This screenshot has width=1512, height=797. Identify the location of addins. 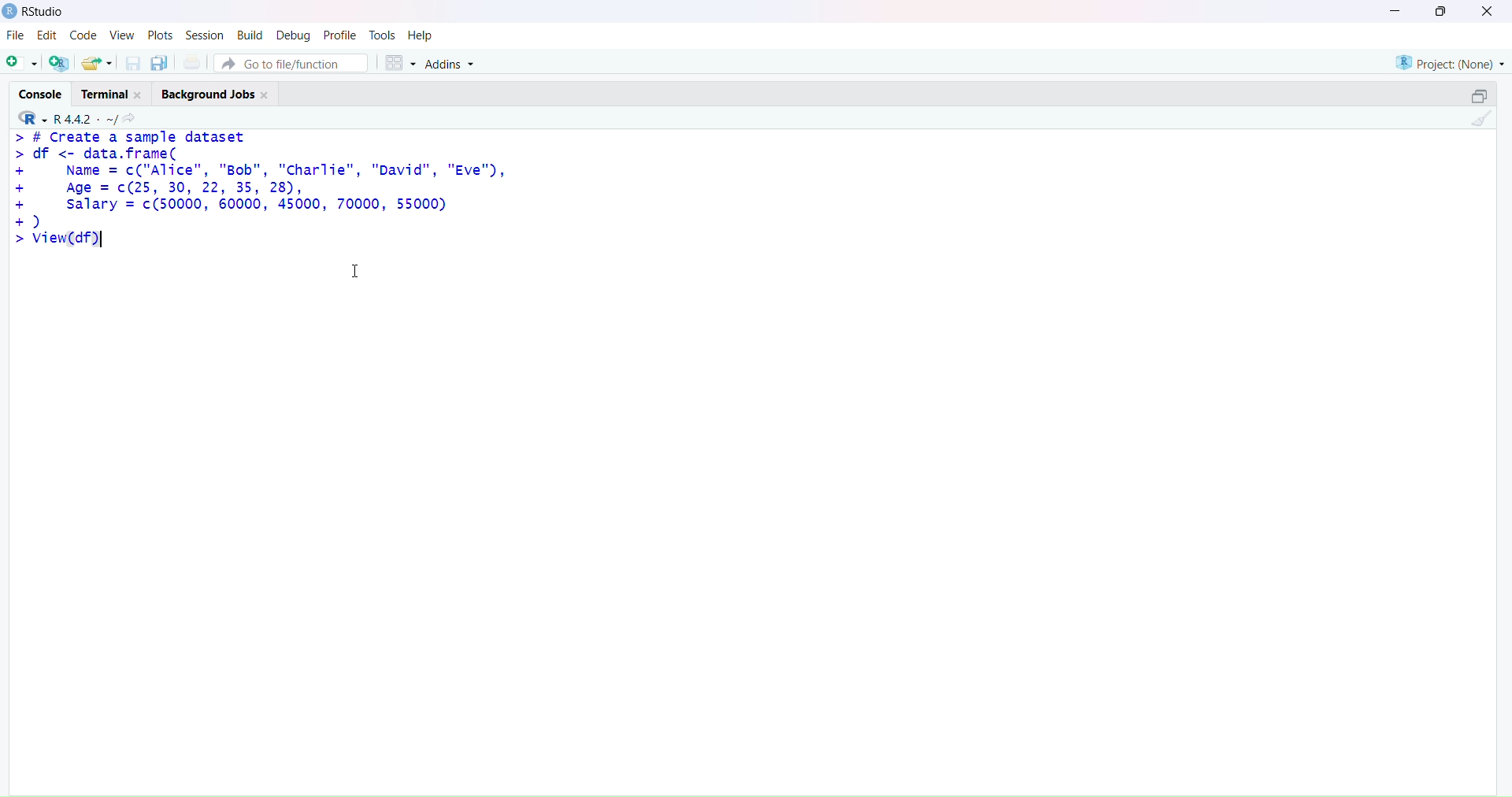
(454, 65).